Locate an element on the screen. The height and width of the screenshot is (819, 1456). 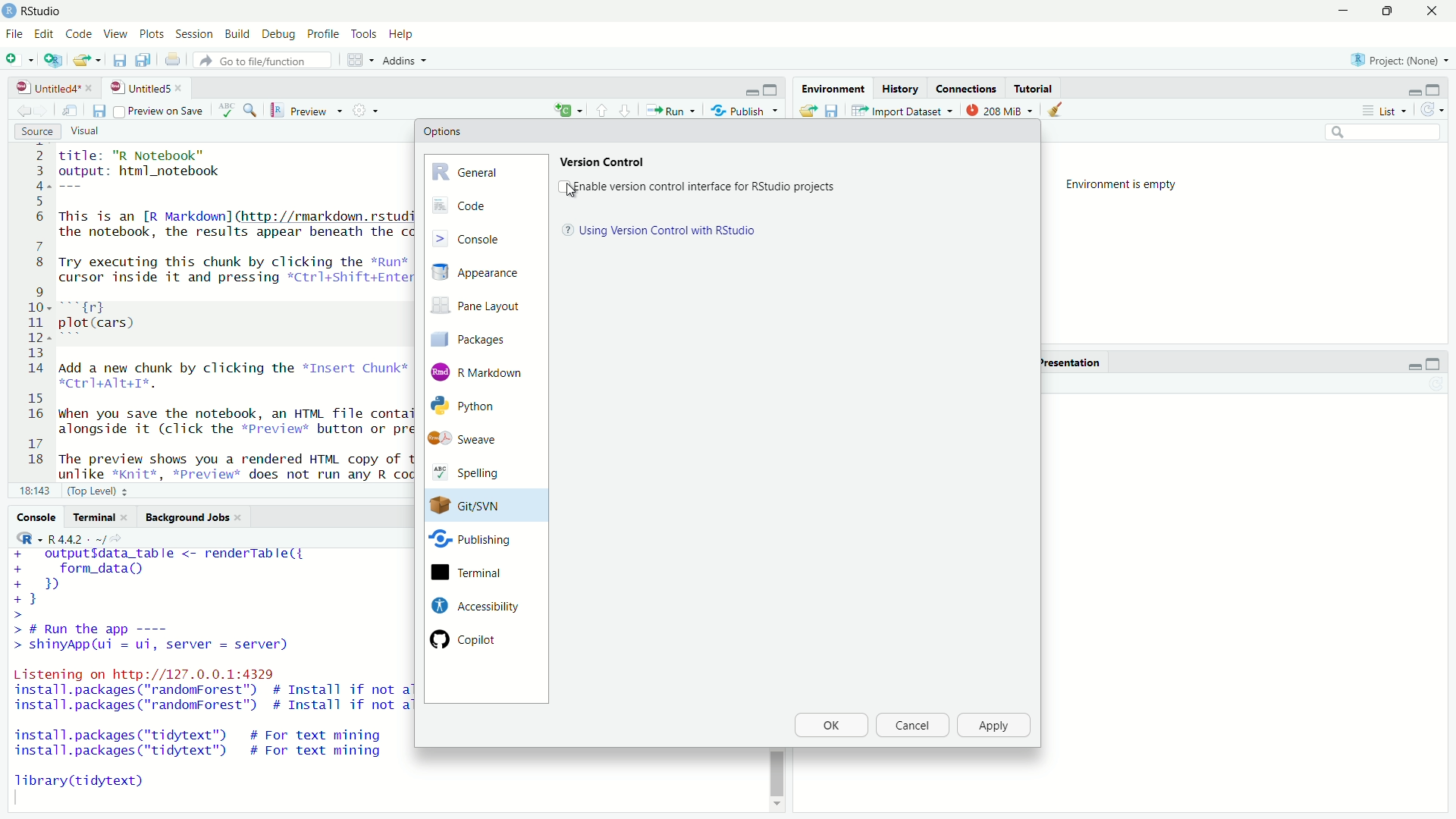
clear object is located at coordinates (1053, 110).